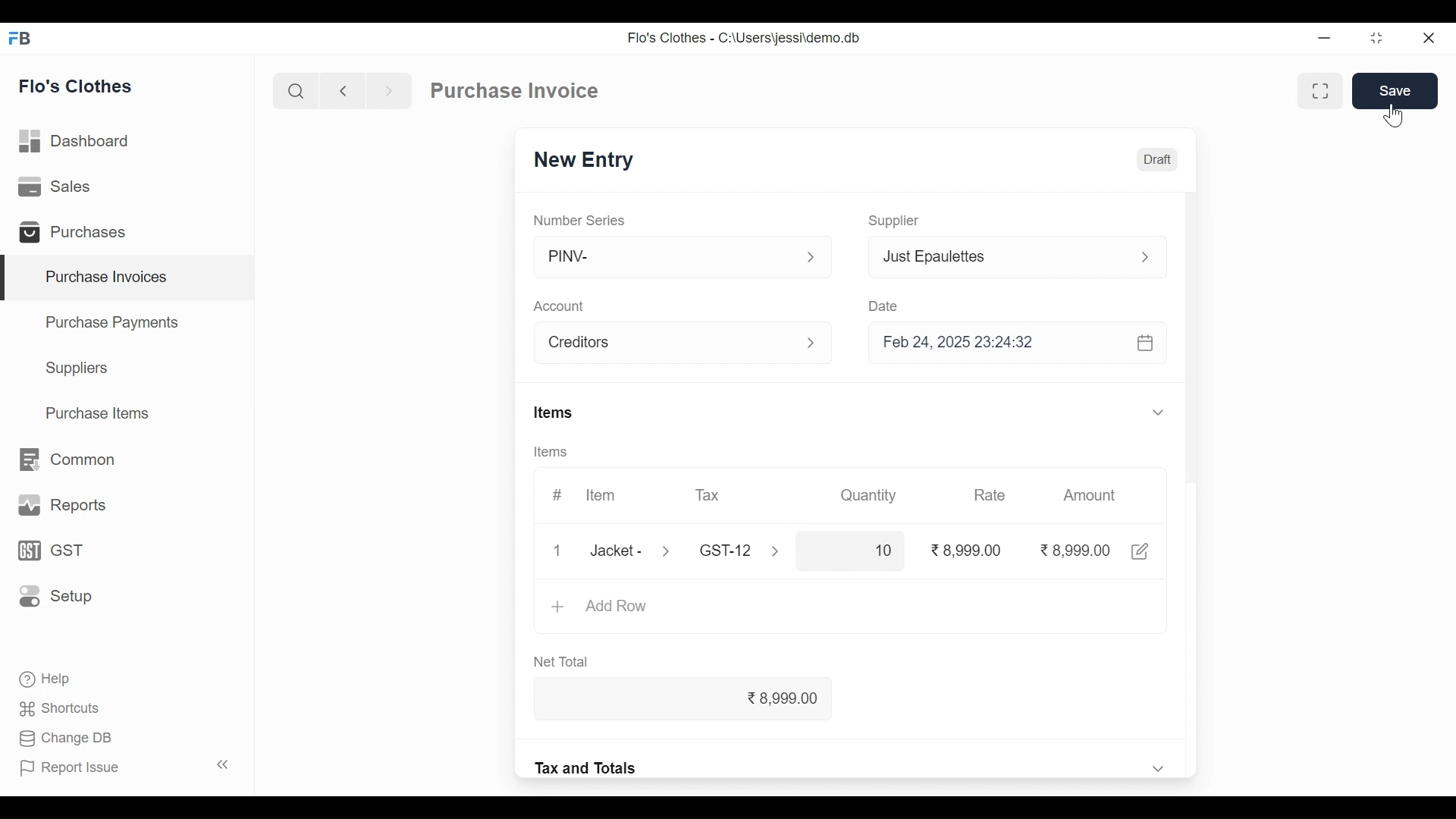 The width and height of the screenshot is (1456, 819). I want to click on Cursor, so click(1396, 115).